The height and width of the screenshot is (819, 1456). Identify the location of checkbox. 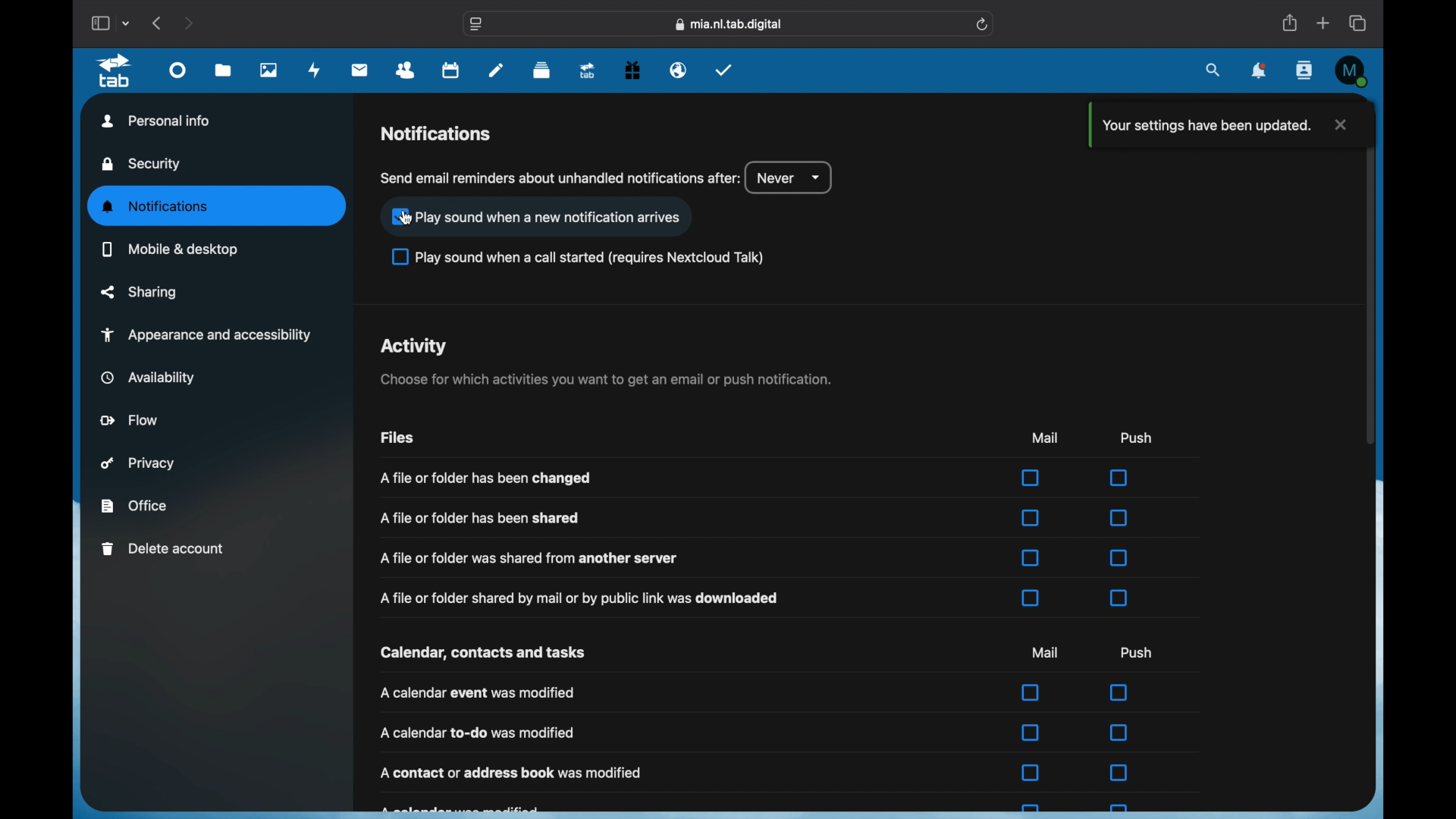
(1030, 479).